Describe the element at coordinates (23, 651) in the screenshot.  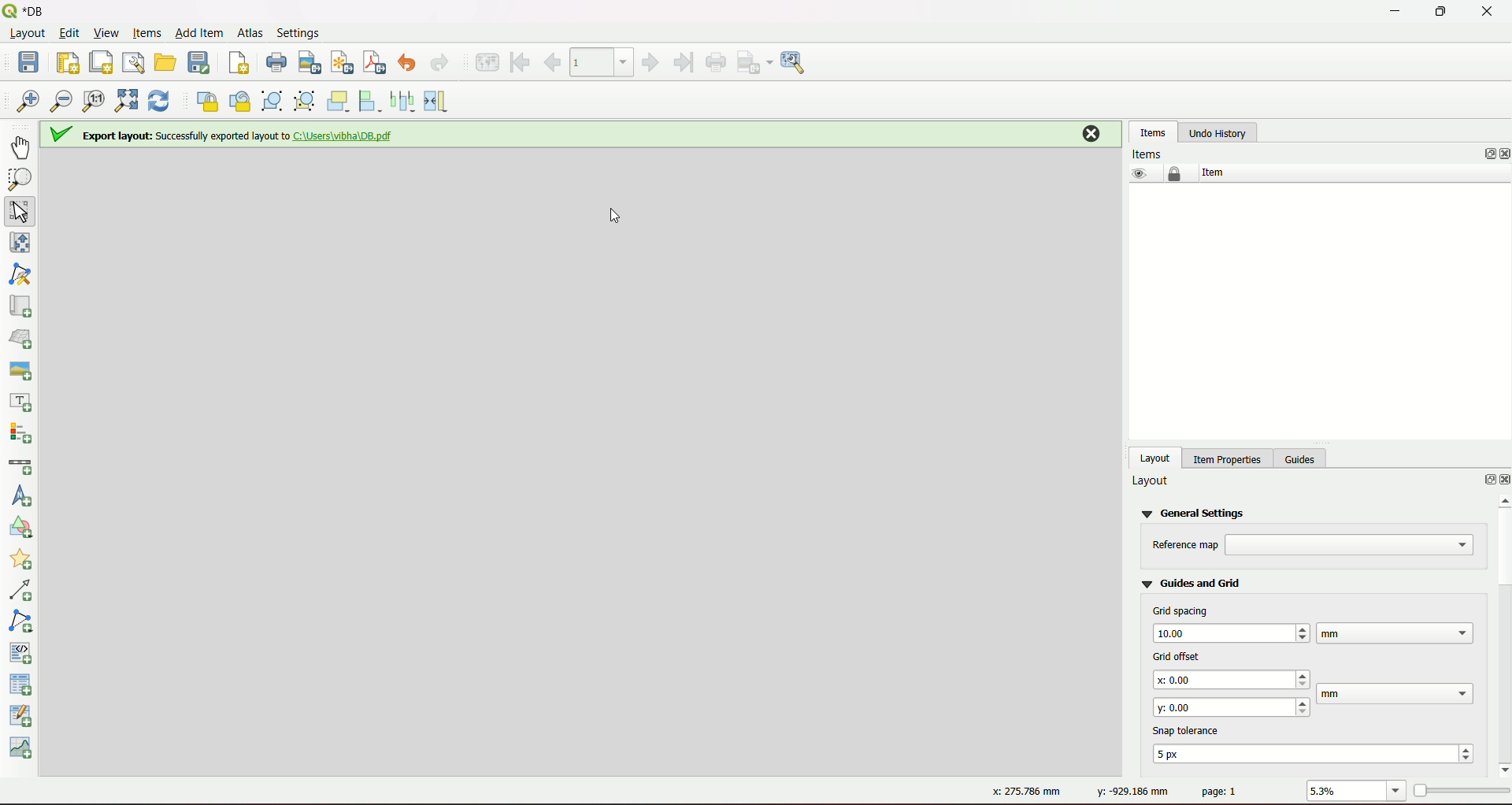
I see `add HTML` at that location.